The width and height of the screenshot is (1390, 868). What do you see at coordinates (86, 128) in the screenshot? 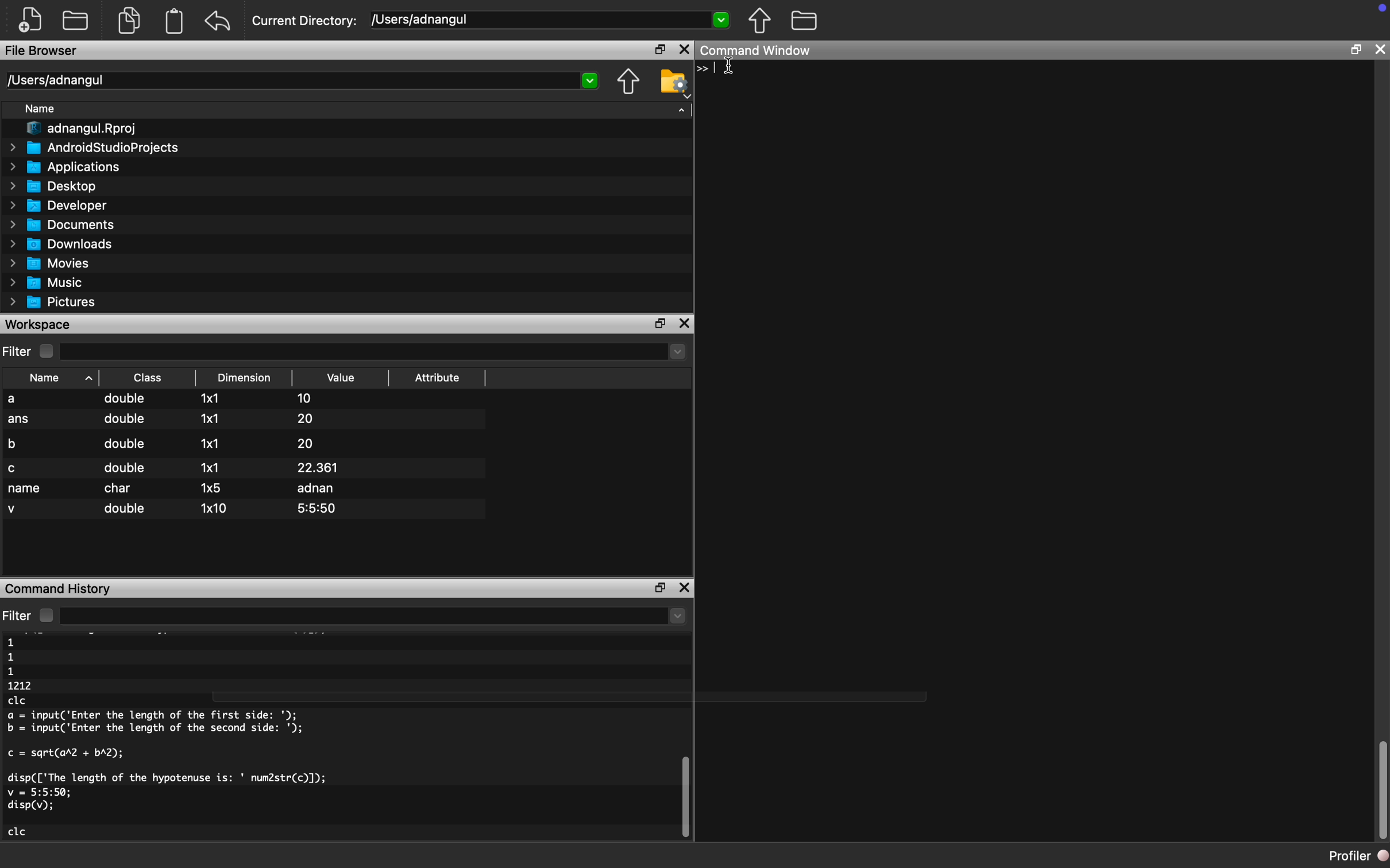
I see `adnangul.Rproj` at bounding box center [86, 128].